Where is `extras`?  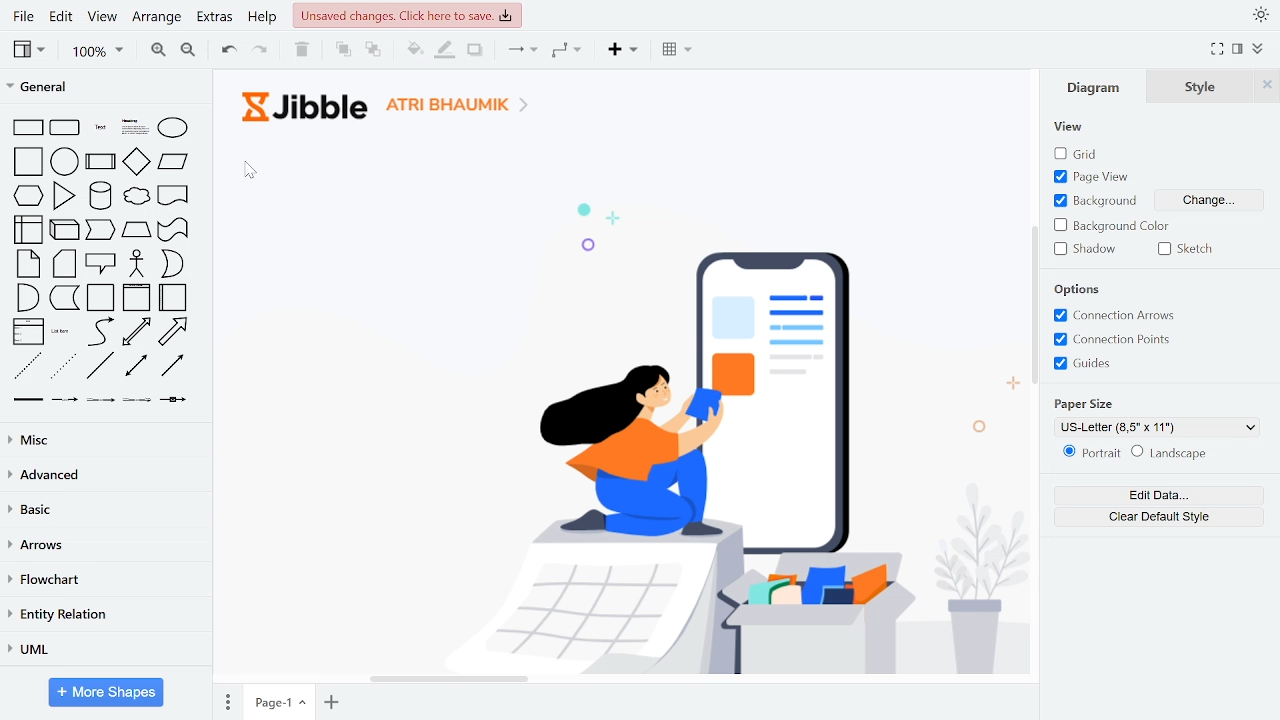
extras is located at coordinates (216, 17).